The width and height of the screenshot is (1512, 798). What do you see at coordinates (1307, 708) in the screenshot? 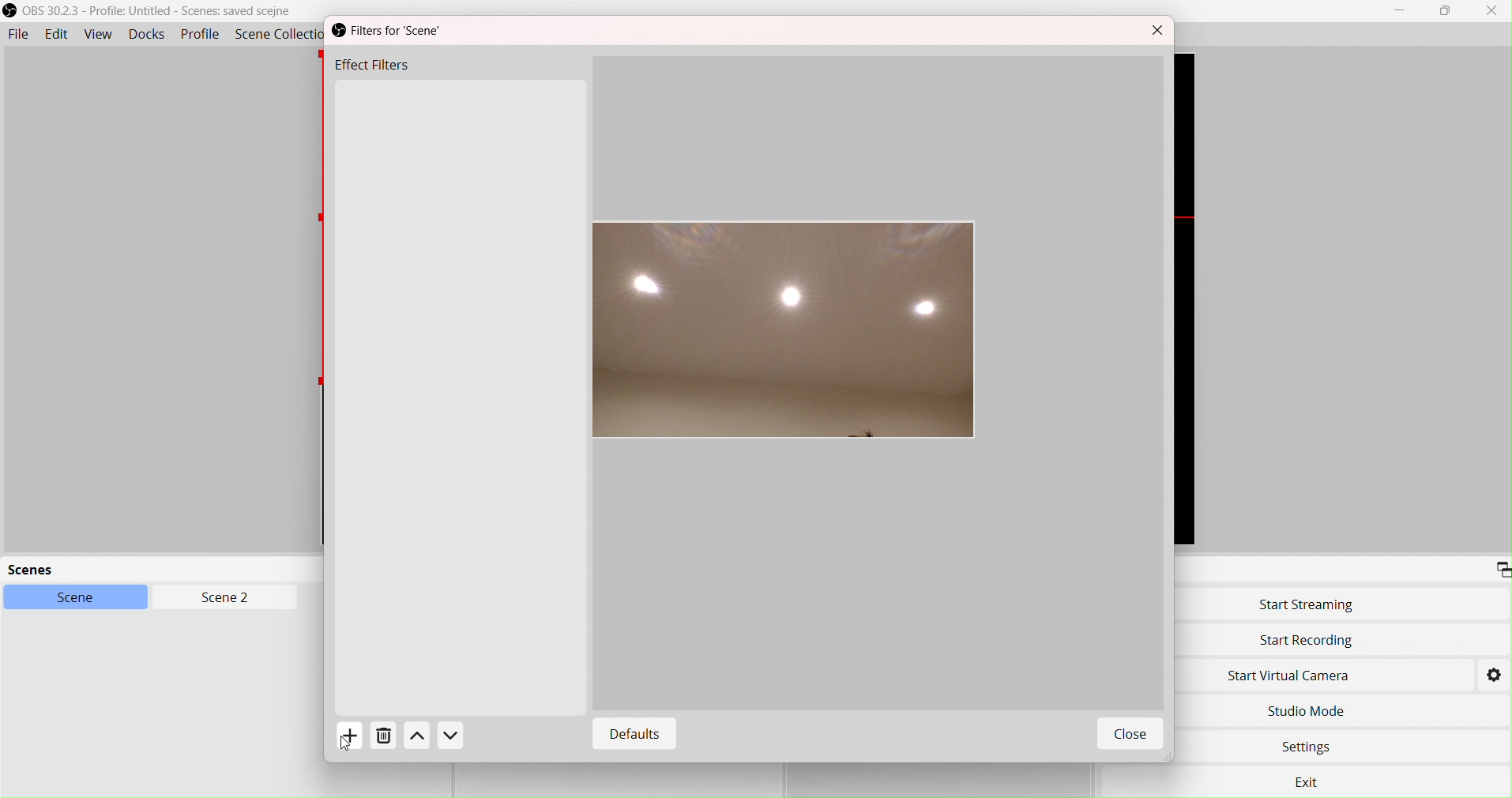
I see `Studio Move` at bounding box center [1307, 708].